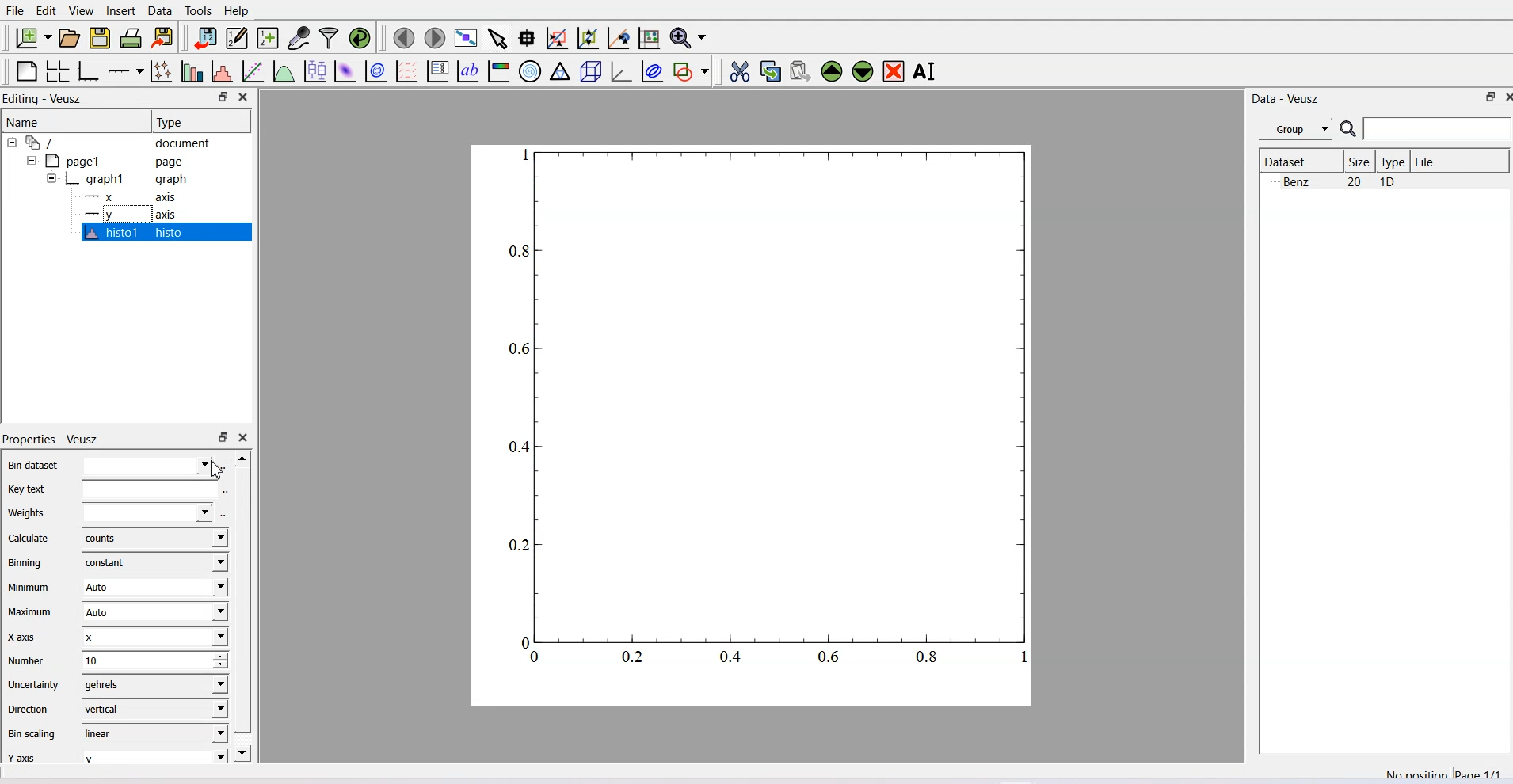 This screenshot has width=1513, height=784. Describe the element at coordinates (221, 70) in the screenshot. I see `Histogram of dataset` at that location.